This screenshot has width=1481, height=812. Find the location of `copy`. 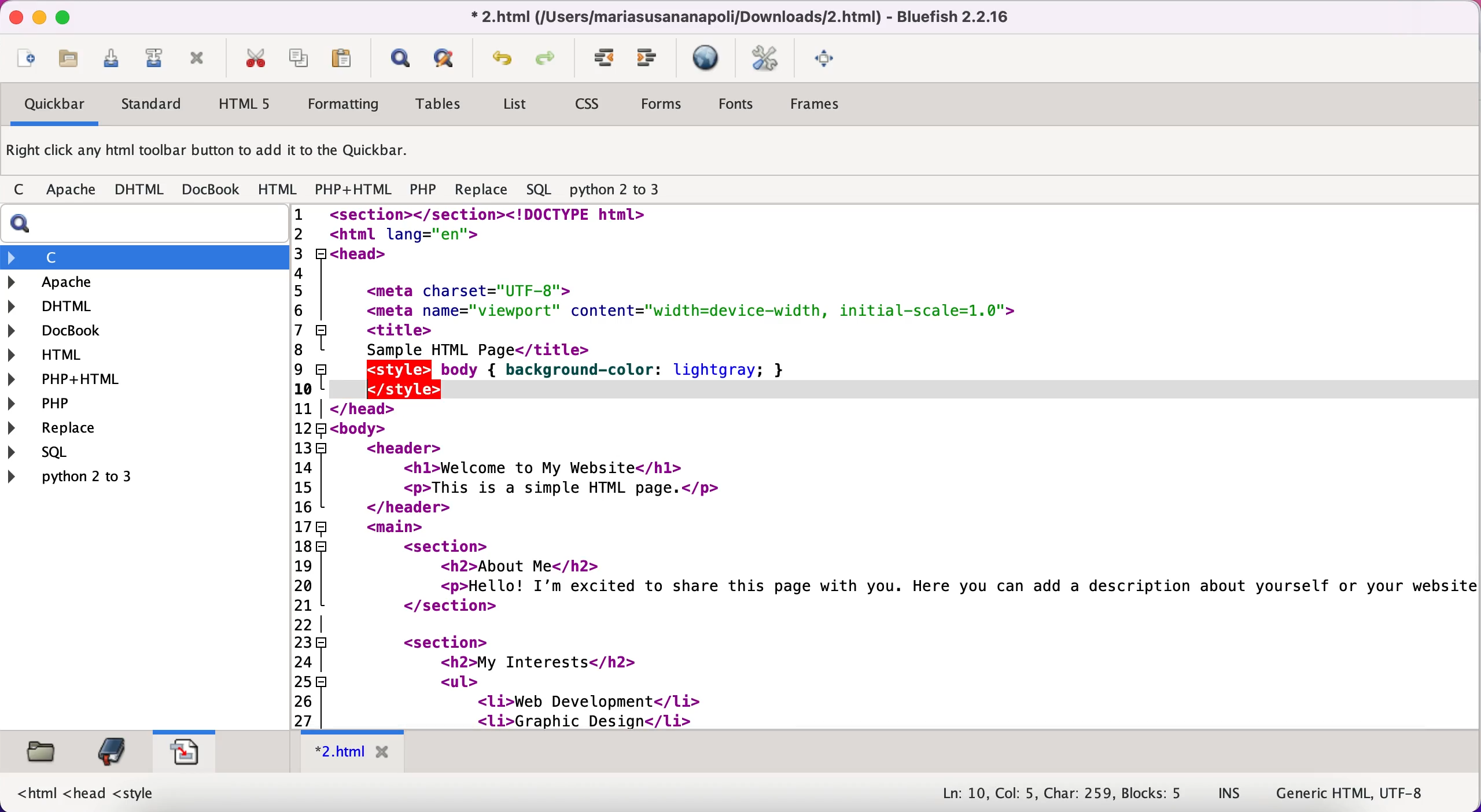

copy is located at coordinates (301, 57).